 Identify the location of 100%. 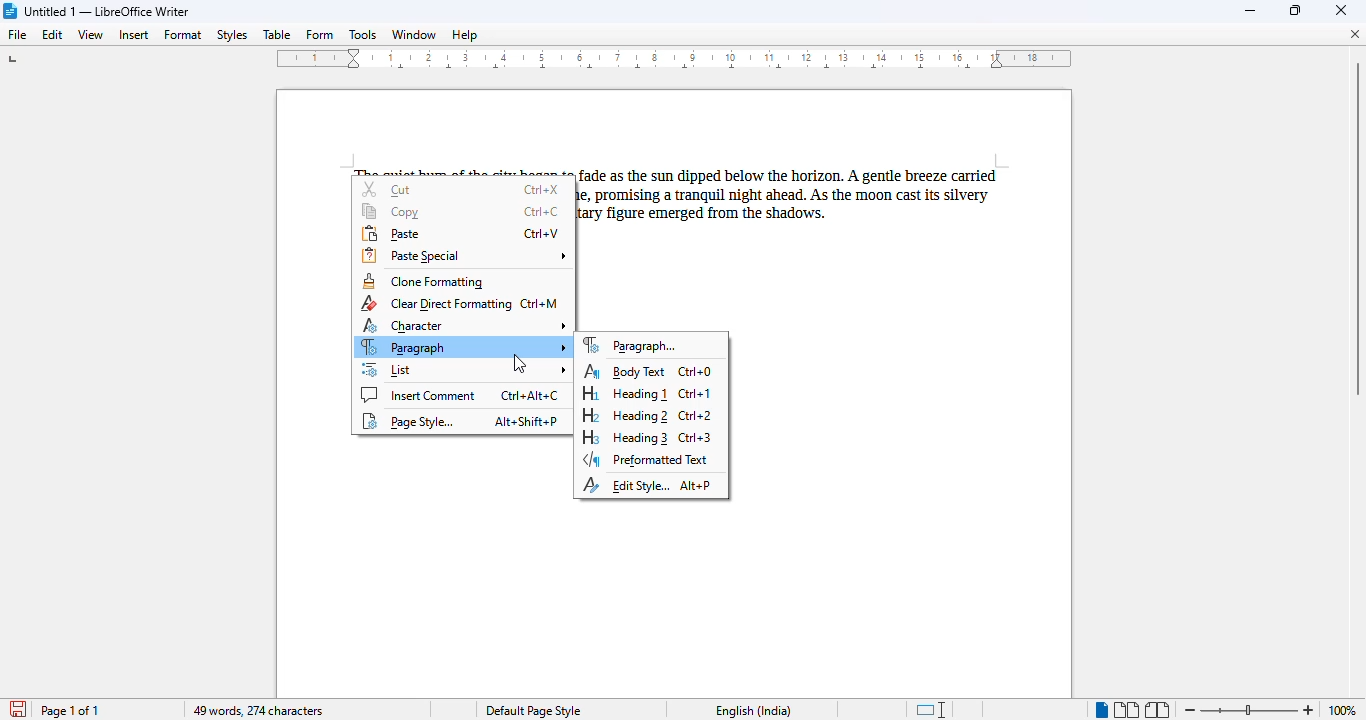
(1339, 710).